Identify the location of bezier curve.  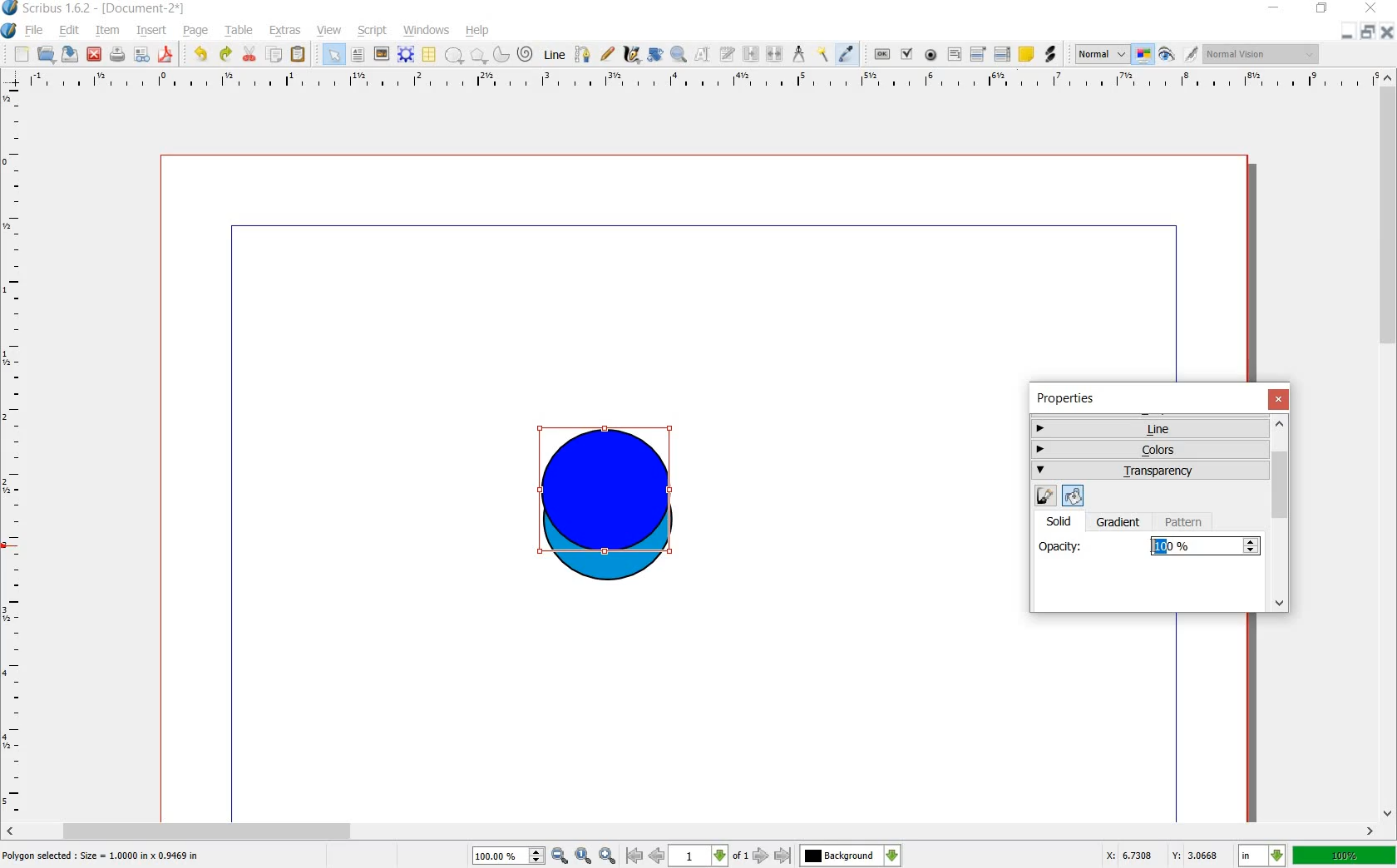
(583, 55).